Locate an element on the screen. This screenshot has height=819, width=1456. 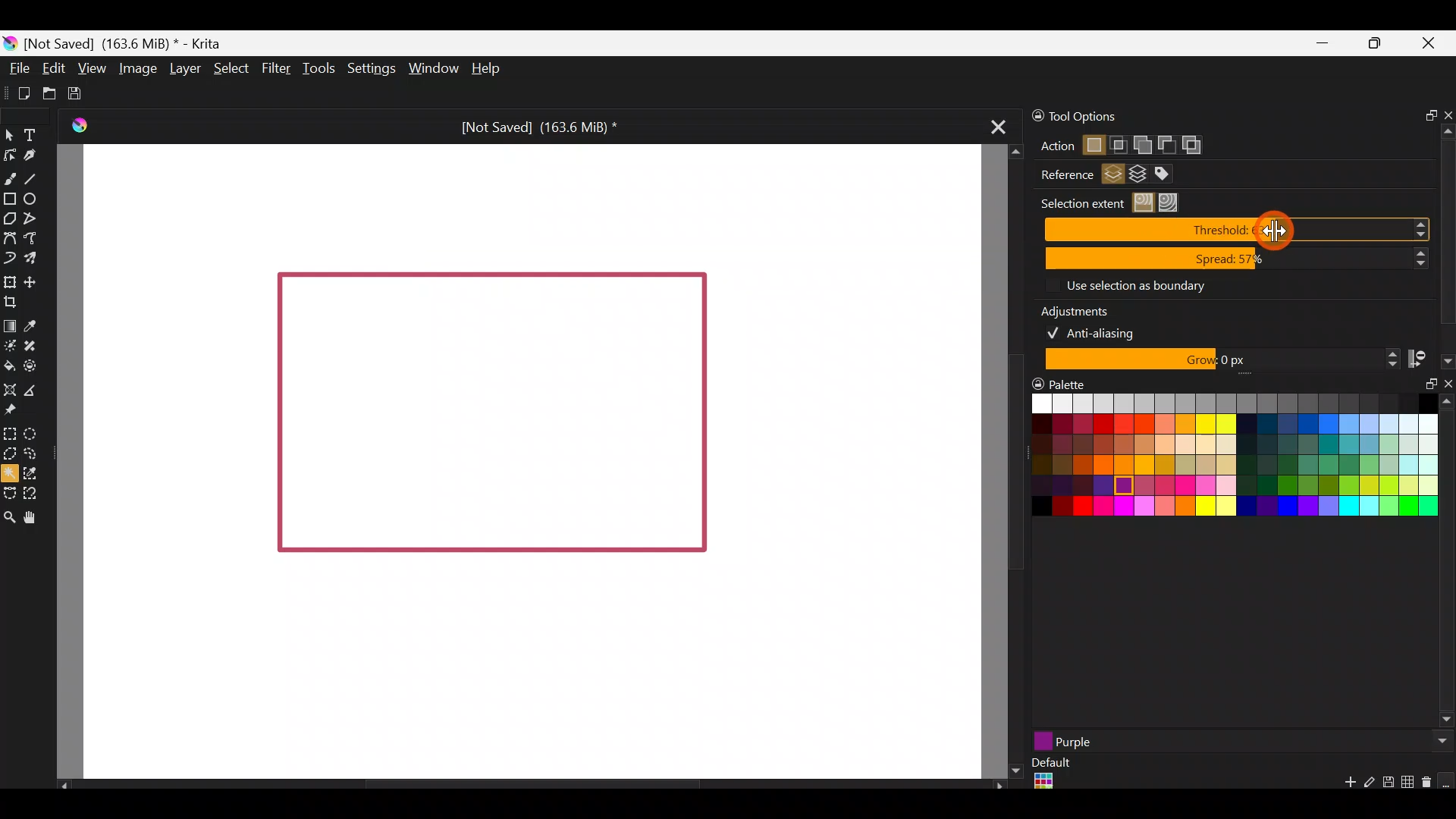
Filter is located at coordinates (274, 68).